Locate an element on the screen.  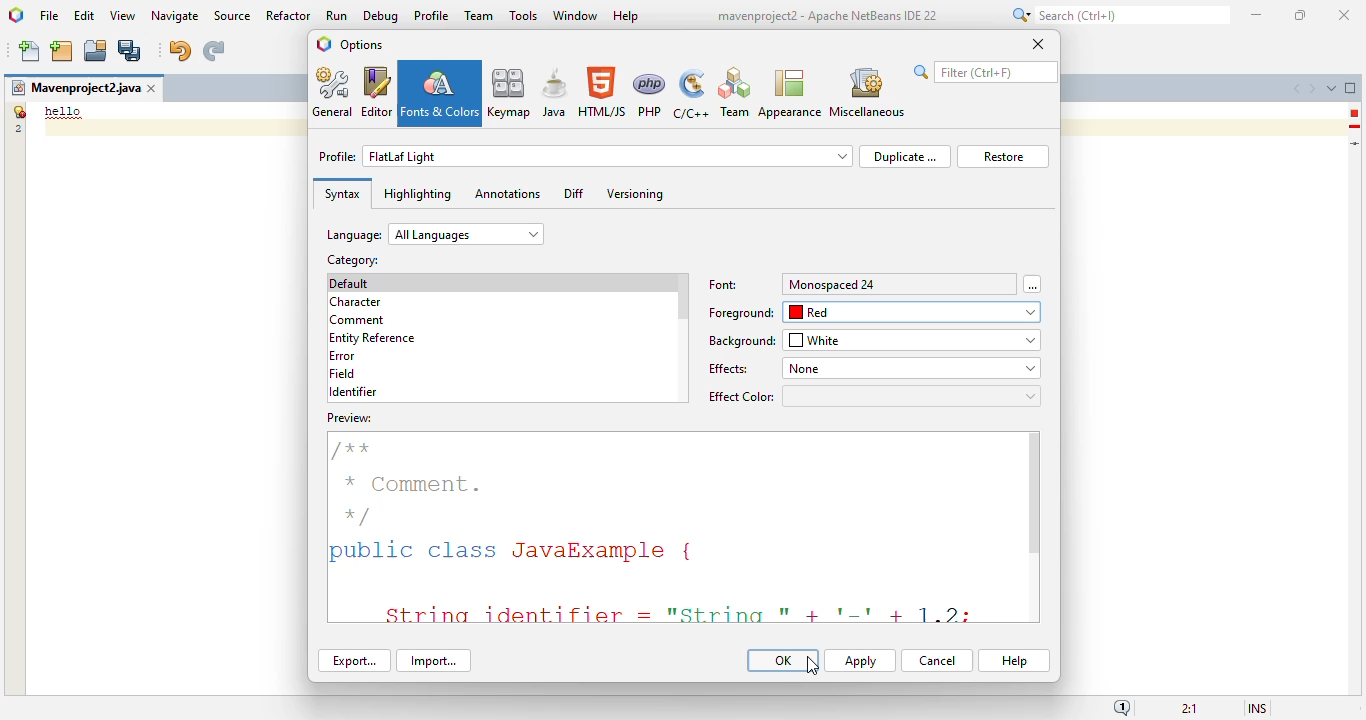
apply is located at coordinates (860, 661).